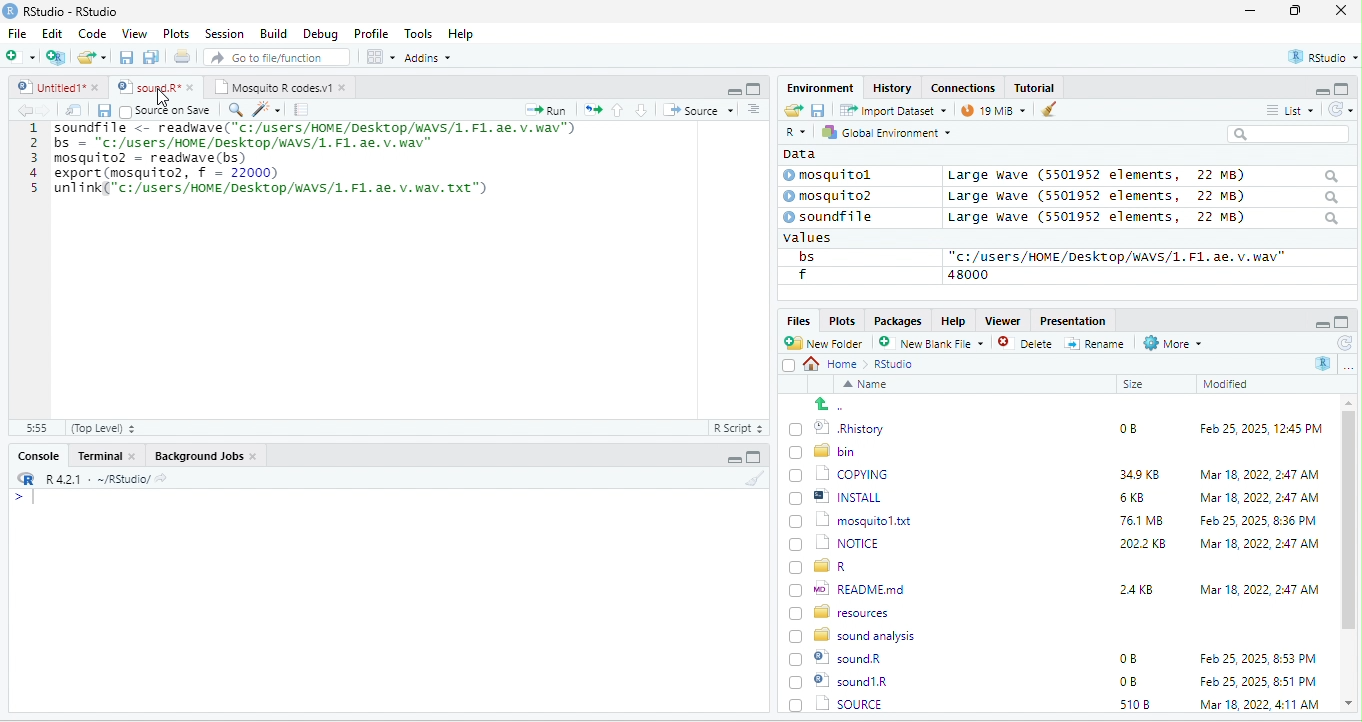 This screenshot has width=1362, height=722. What do you see at coordinates (1341, 12) in the screenshot?
I see `close` at bounding box center [1341, 12].